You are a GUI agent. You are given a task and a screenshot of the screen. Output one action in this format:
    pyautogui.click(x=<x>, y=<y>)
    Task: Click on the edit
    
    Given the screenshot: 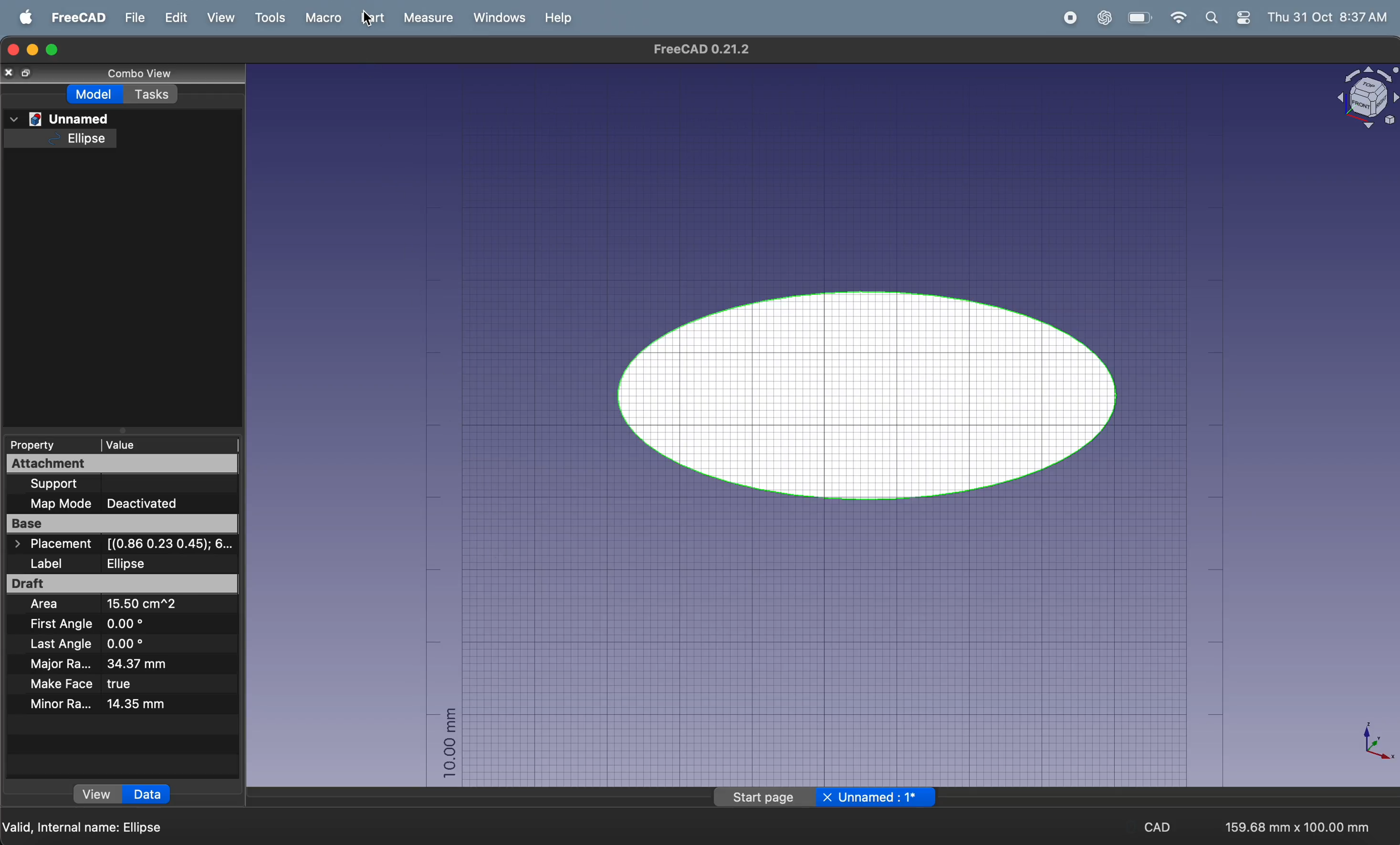 What is the action you would take?
    pyautogui.click(x=173, y=19)
    